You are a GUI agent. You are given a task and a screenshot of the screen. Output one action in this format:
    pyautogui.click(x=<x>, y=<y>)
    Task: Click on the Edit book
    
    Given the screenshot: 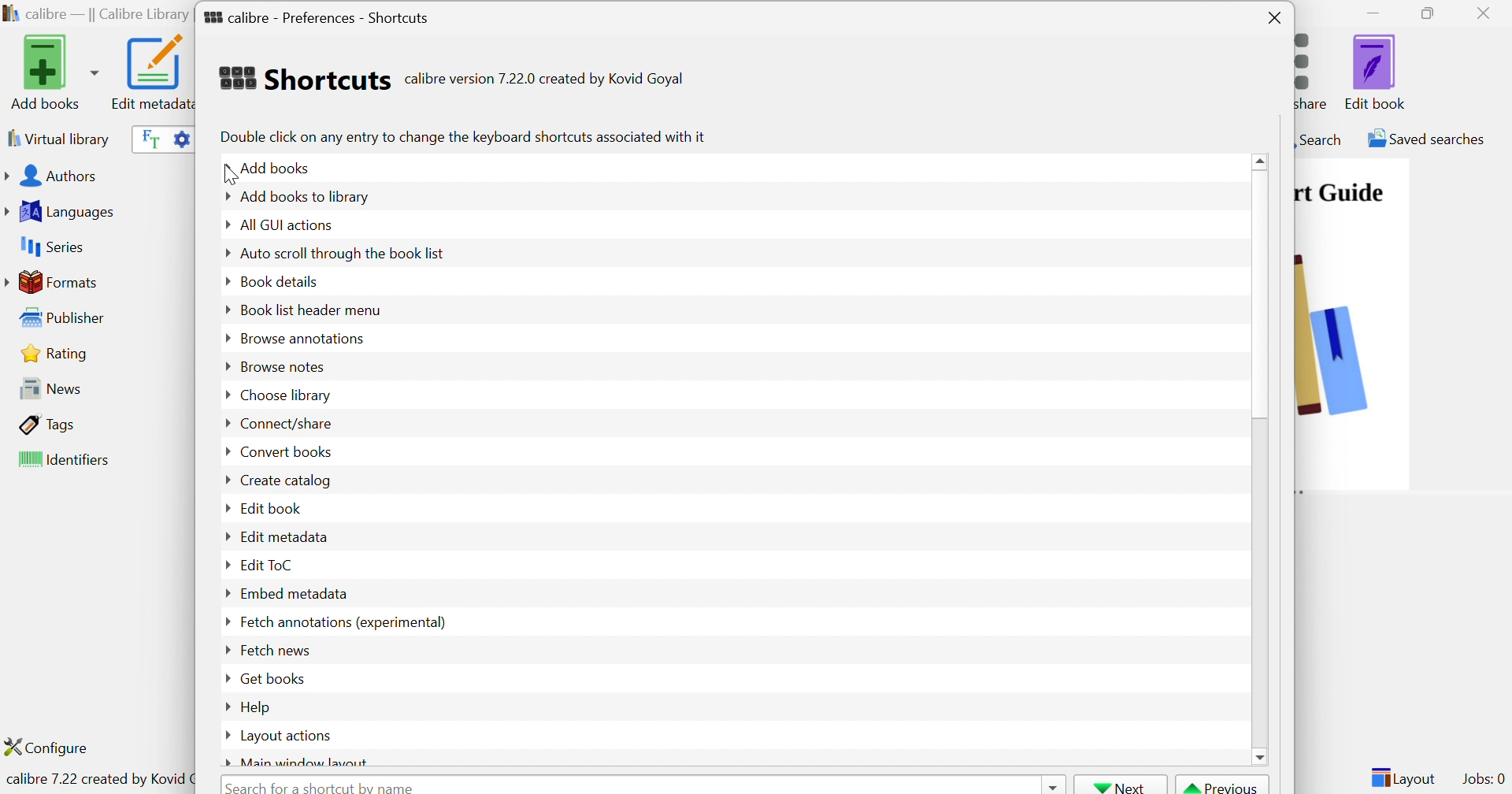 What is the action you would take?
    pyautogui.click(x=1376, y=72)
    